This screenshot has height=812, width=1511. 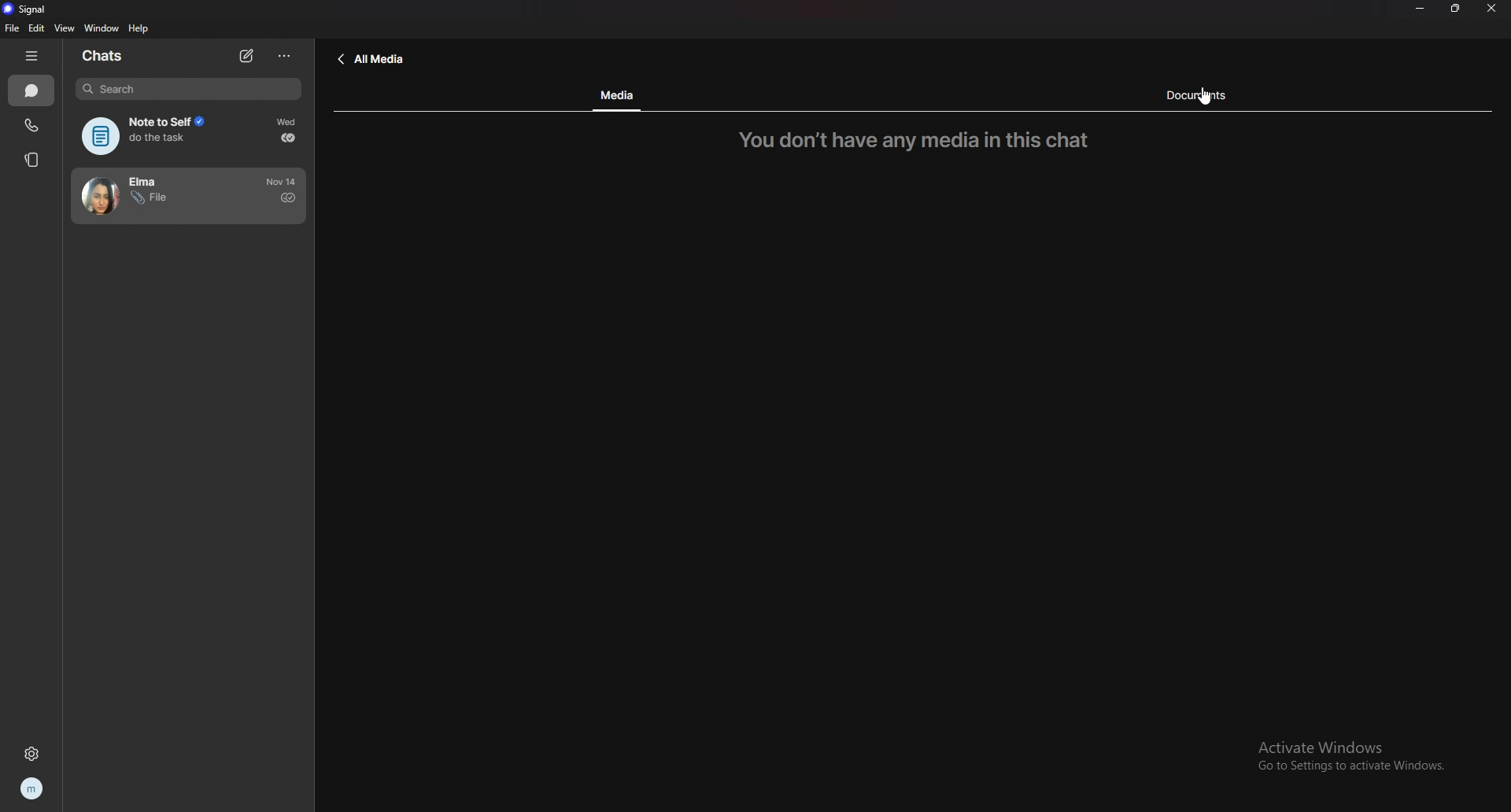 What do you see at coordinates (283, 181) in the screenshot?
I see `time` at bounding box center [283, 181].